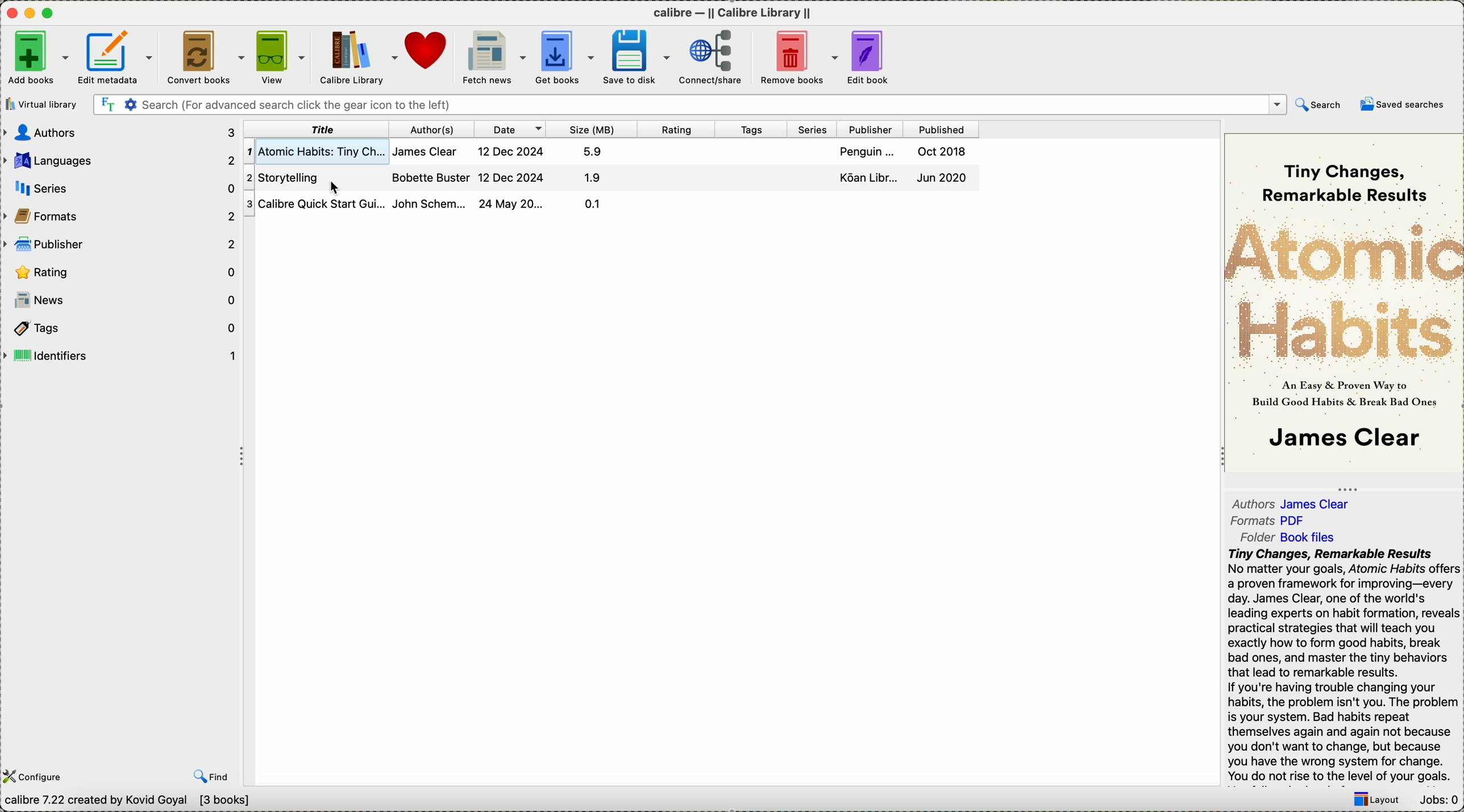  Describe the element at coordinates (1400, 105) in the screenshot. I see `saved searches` at that location.